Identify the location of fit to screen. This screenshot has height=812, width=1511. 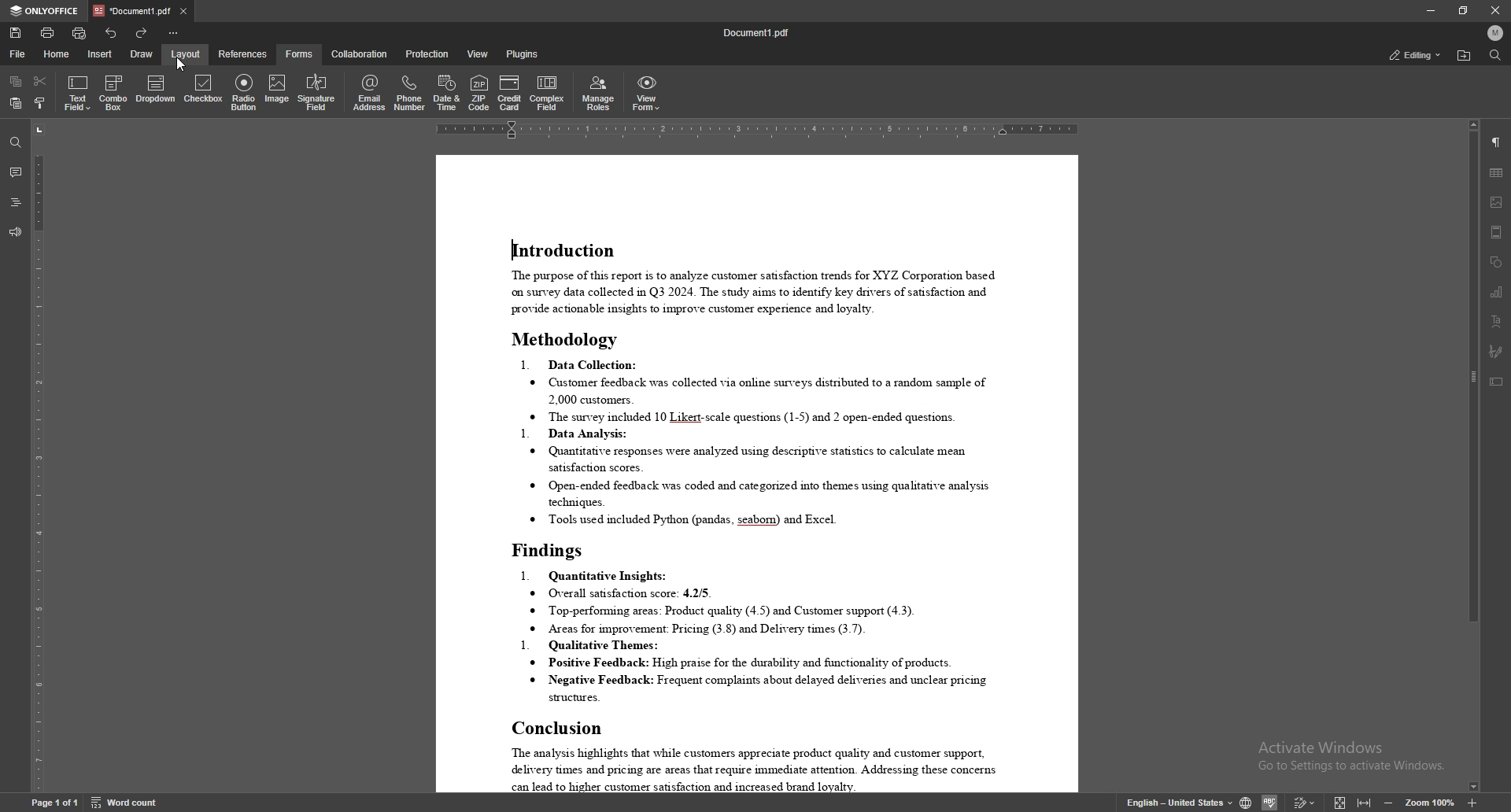
(1339, 803).